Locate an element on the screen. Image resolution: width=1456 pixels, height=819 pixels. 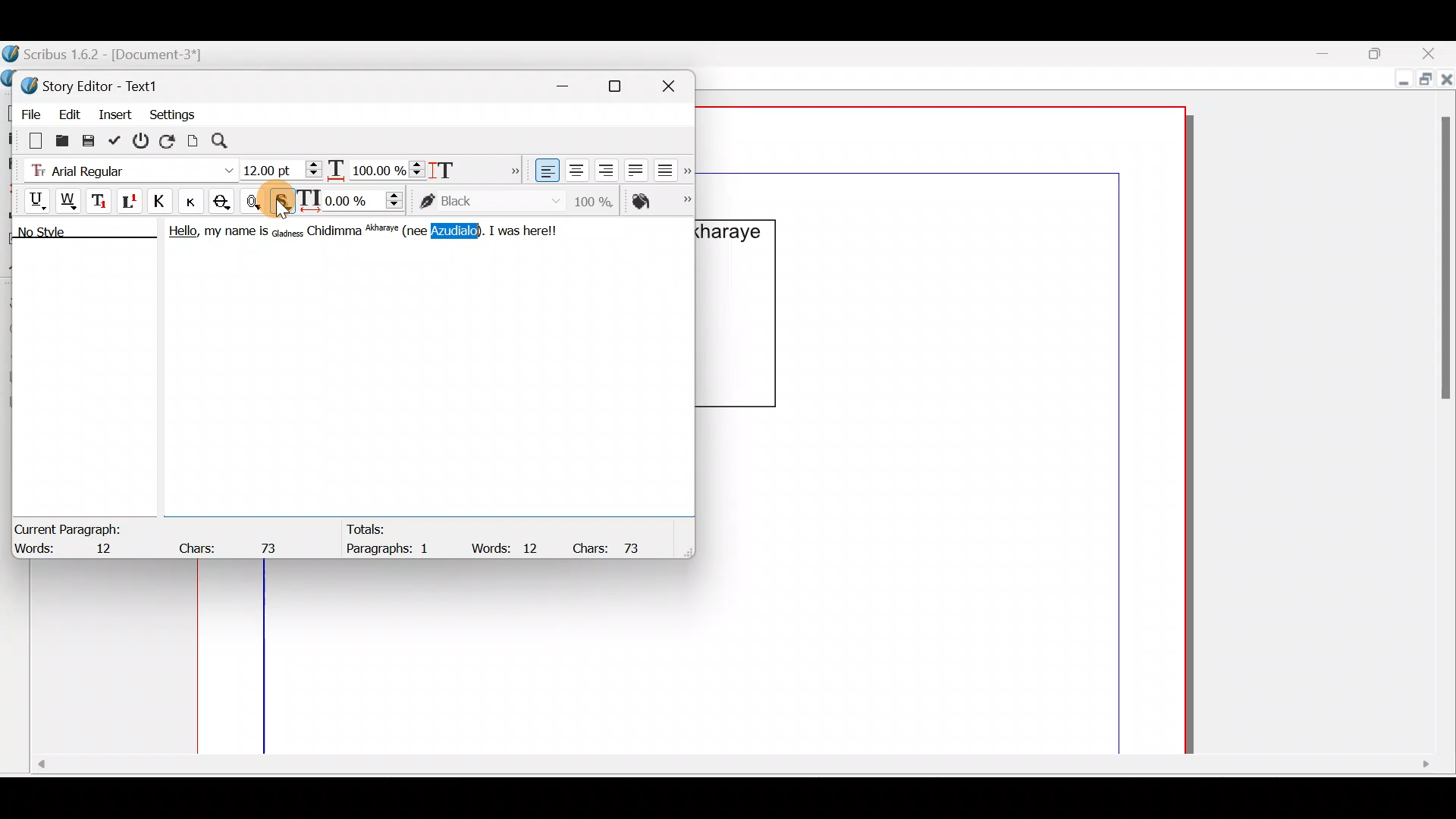
Update text frame is located at coordinates (193, 139).